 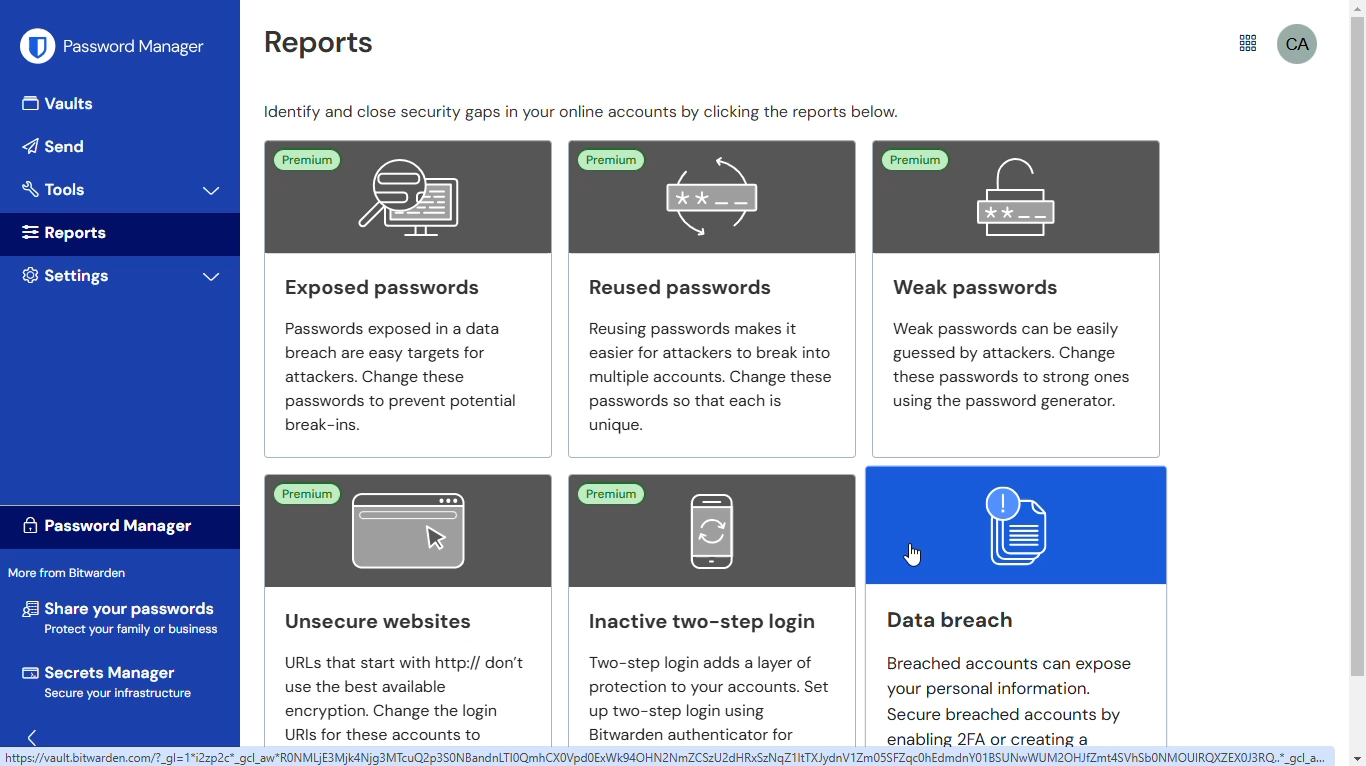 I want to click on Reused passwords
Reusing passwords makes it
easier for attackers to break into
multiple accounts. Change these
passwords so that each is
unique., so click(x=706, y=350).